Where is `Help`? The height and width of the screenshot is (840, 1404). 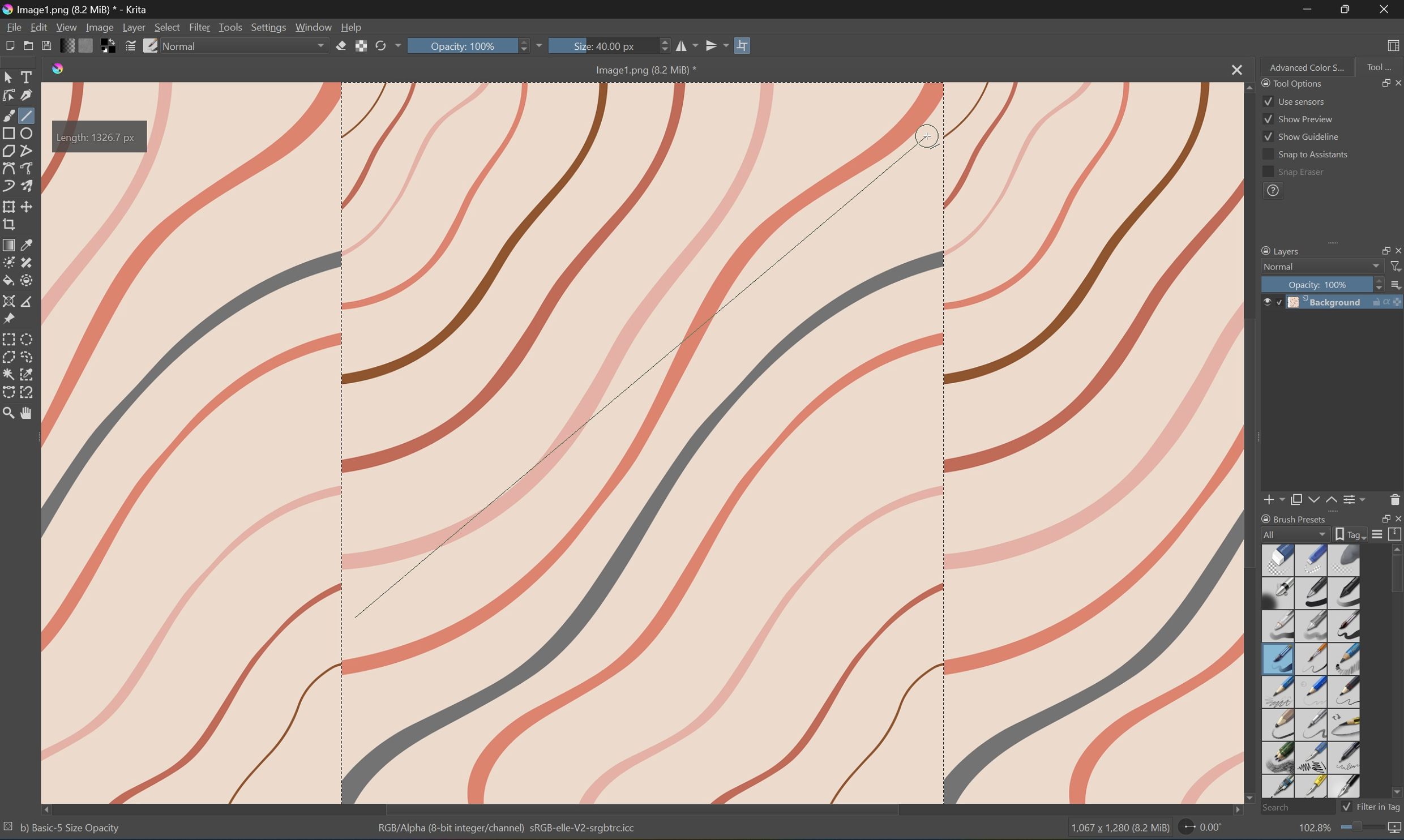 Help is located at coordinates (354, 28).